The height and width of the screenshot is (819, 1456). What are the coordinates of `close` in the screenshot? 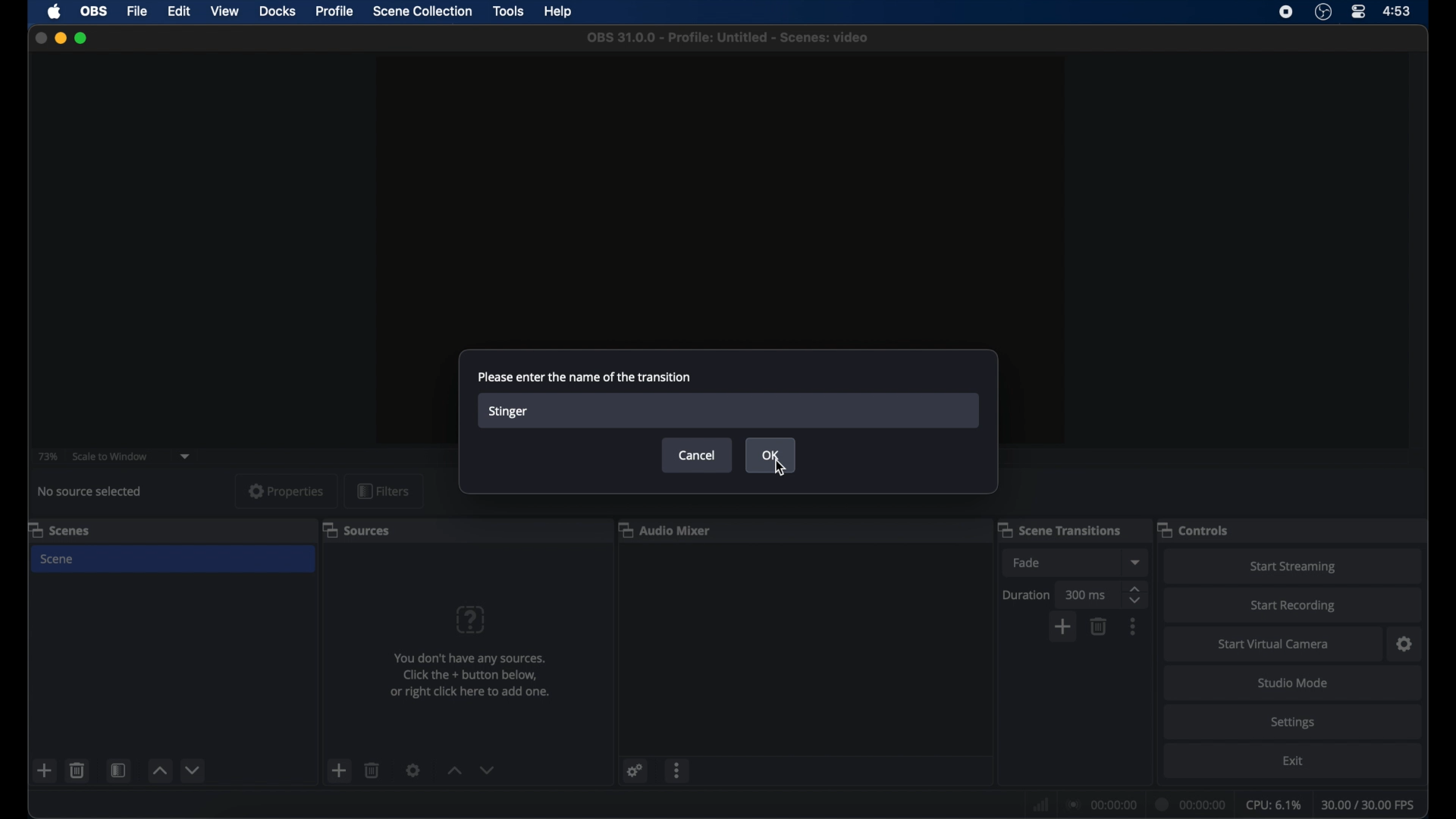 It's located at (40, 38).